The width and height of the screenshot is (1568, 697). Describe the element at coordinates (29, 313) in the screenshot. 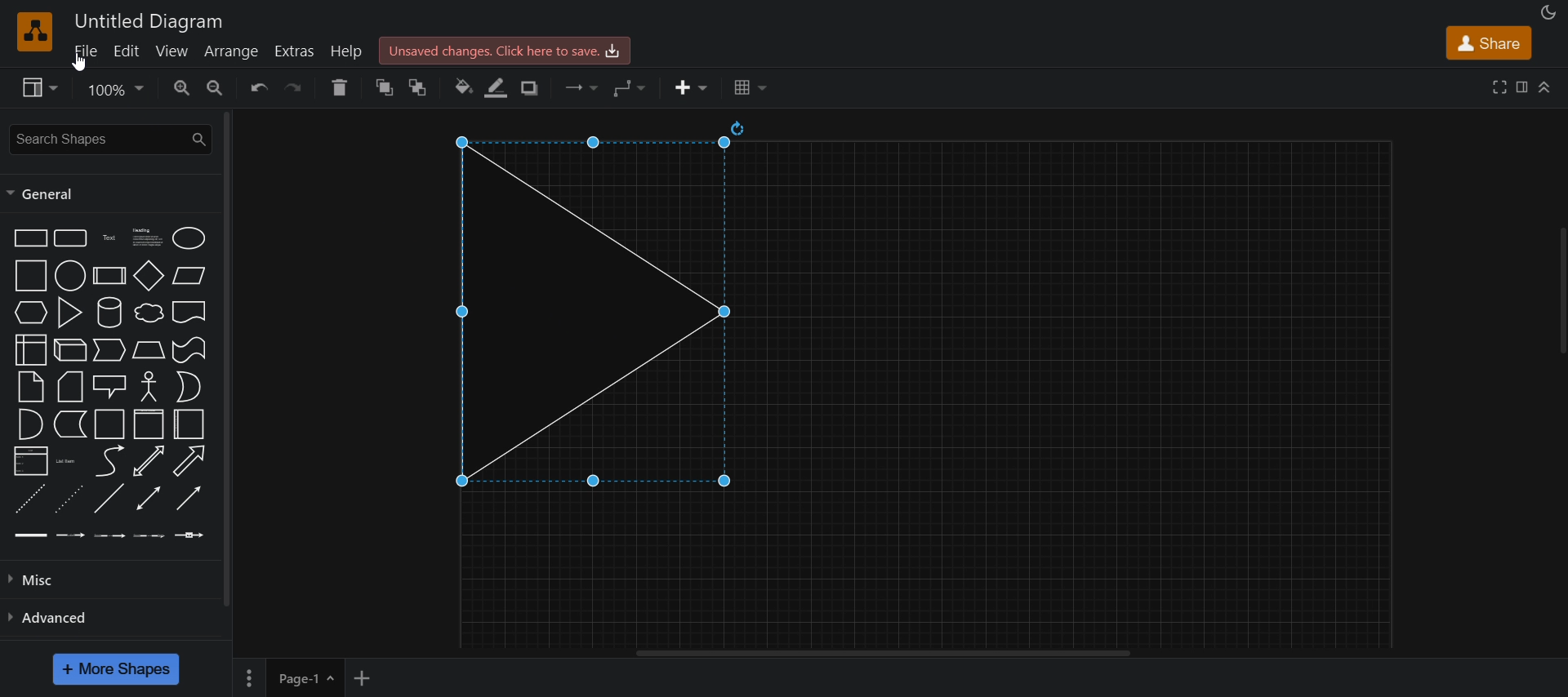

I see `hexagon` at that location.